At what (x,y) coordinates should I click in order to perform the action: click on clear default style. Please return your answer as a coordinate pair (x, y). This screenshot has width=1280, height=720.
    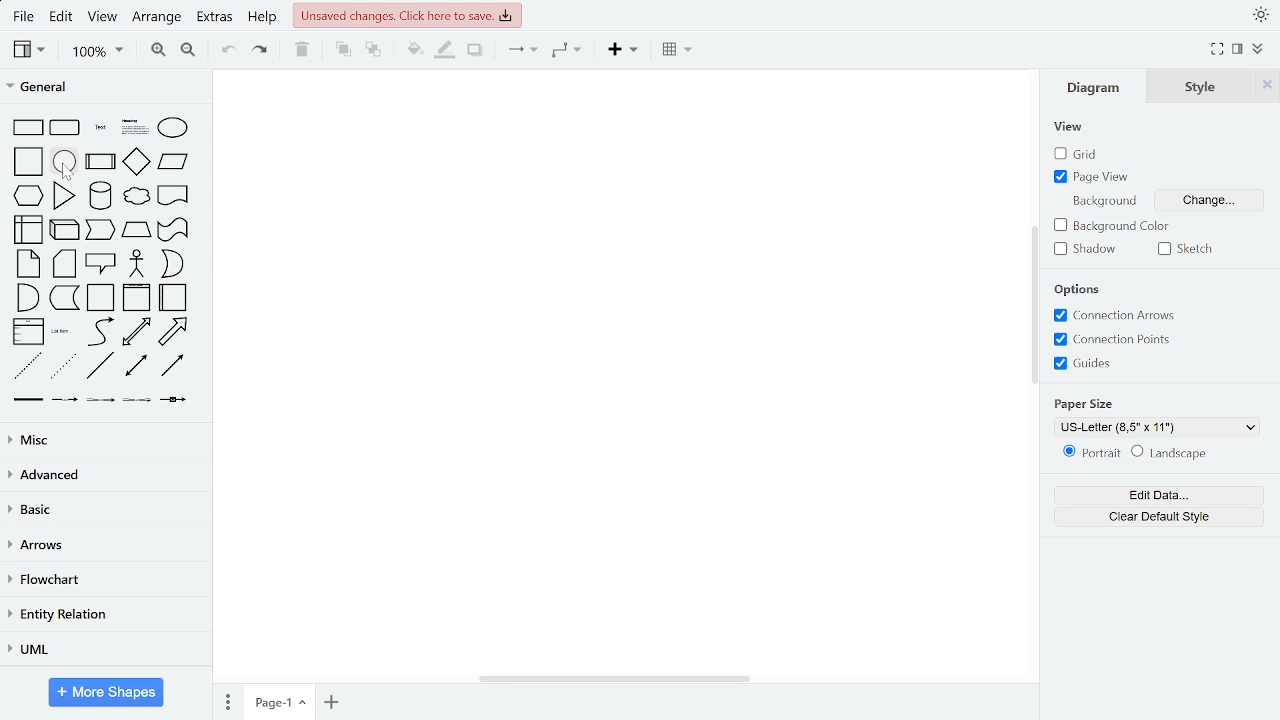
    Looking at the image, I should click on (1151, 519).